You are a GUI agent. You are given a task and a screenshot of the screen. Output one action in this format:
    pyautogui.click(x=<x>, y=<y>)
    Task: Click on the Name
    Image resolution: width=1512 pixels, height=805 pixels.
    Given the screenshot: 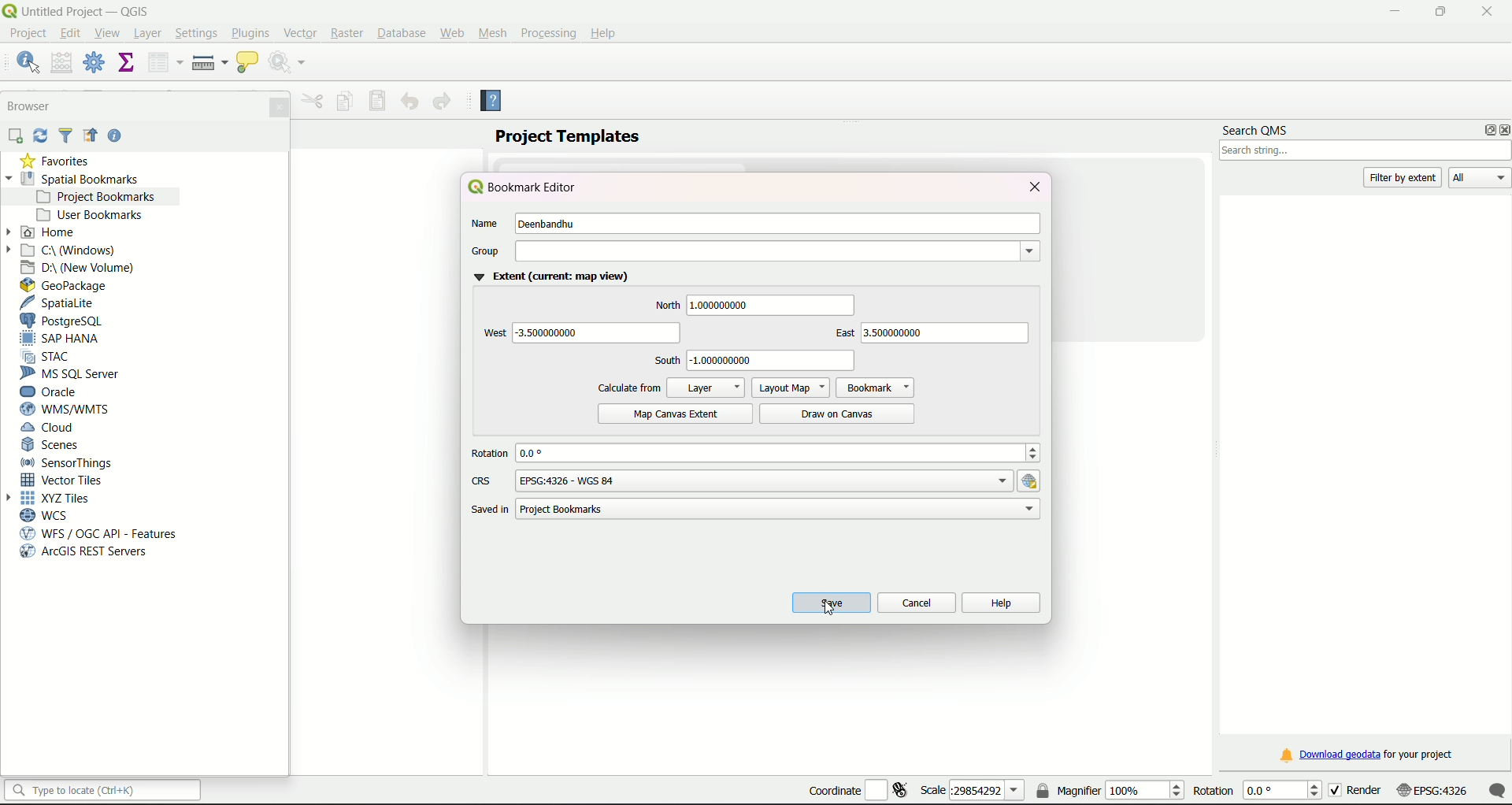 What is the action you would take?
    pyautogui.click(x=489, y=223)
    